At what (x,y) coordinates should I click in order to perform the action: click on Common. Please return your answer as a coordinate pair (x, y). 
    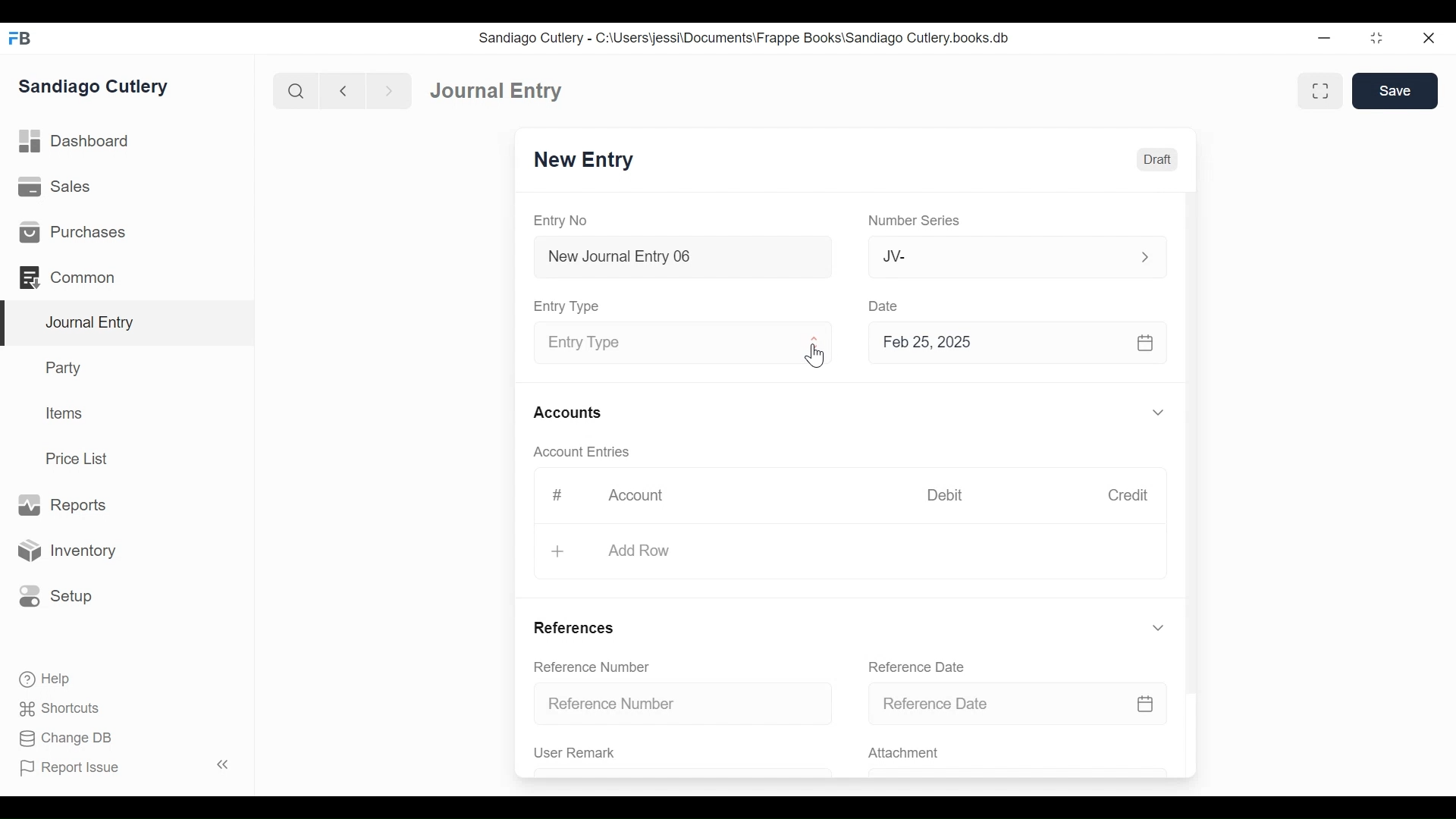
    Looking at the image, I should click on (75, 278).